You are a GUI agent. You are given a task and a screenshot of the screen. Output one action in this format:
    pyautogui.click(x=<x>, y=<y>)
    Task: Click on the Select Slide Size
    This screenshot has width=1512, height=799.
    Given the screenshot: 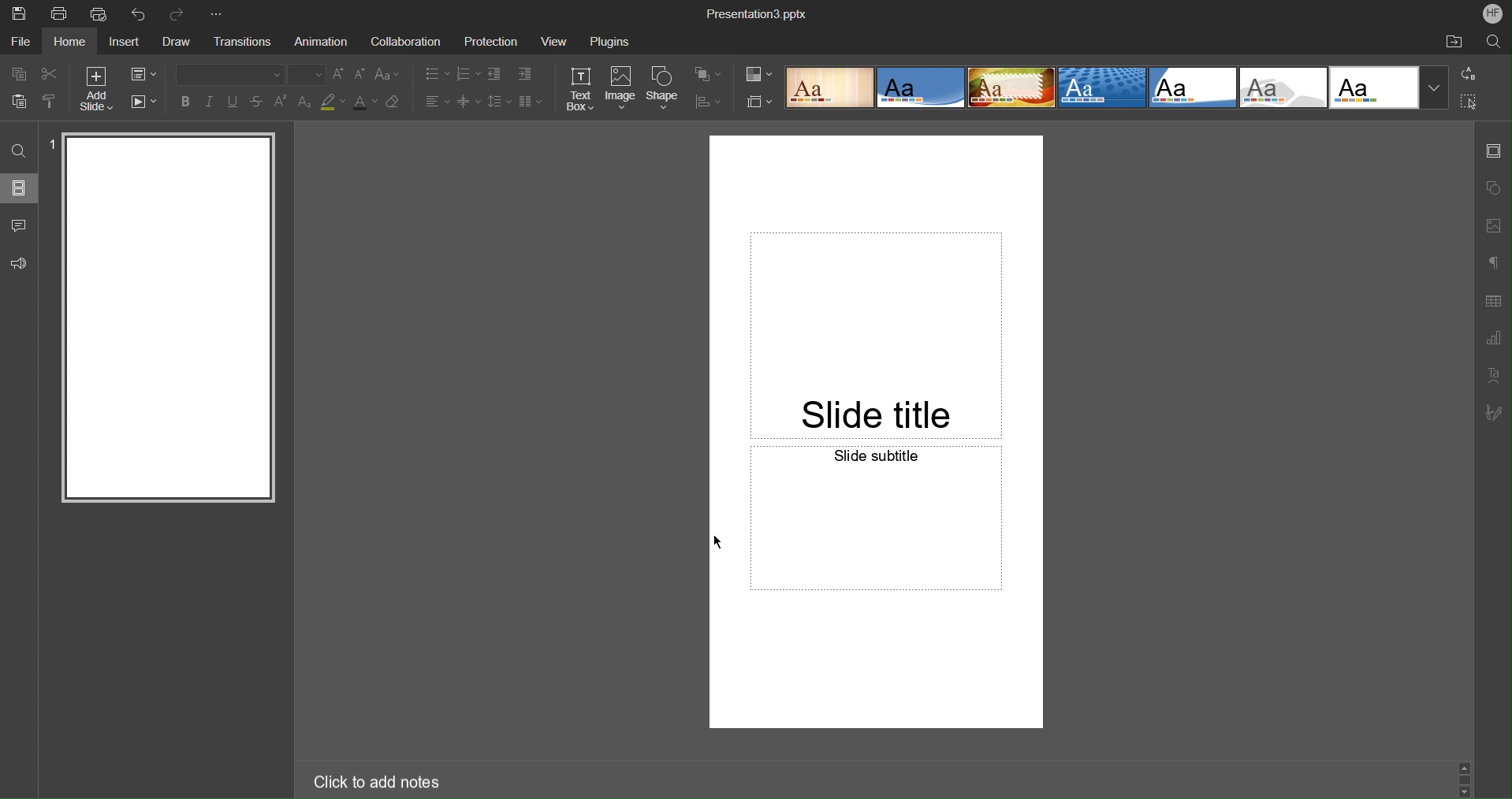 What is the action you would take?
    pyautogui.click(x=759, y=102)
    